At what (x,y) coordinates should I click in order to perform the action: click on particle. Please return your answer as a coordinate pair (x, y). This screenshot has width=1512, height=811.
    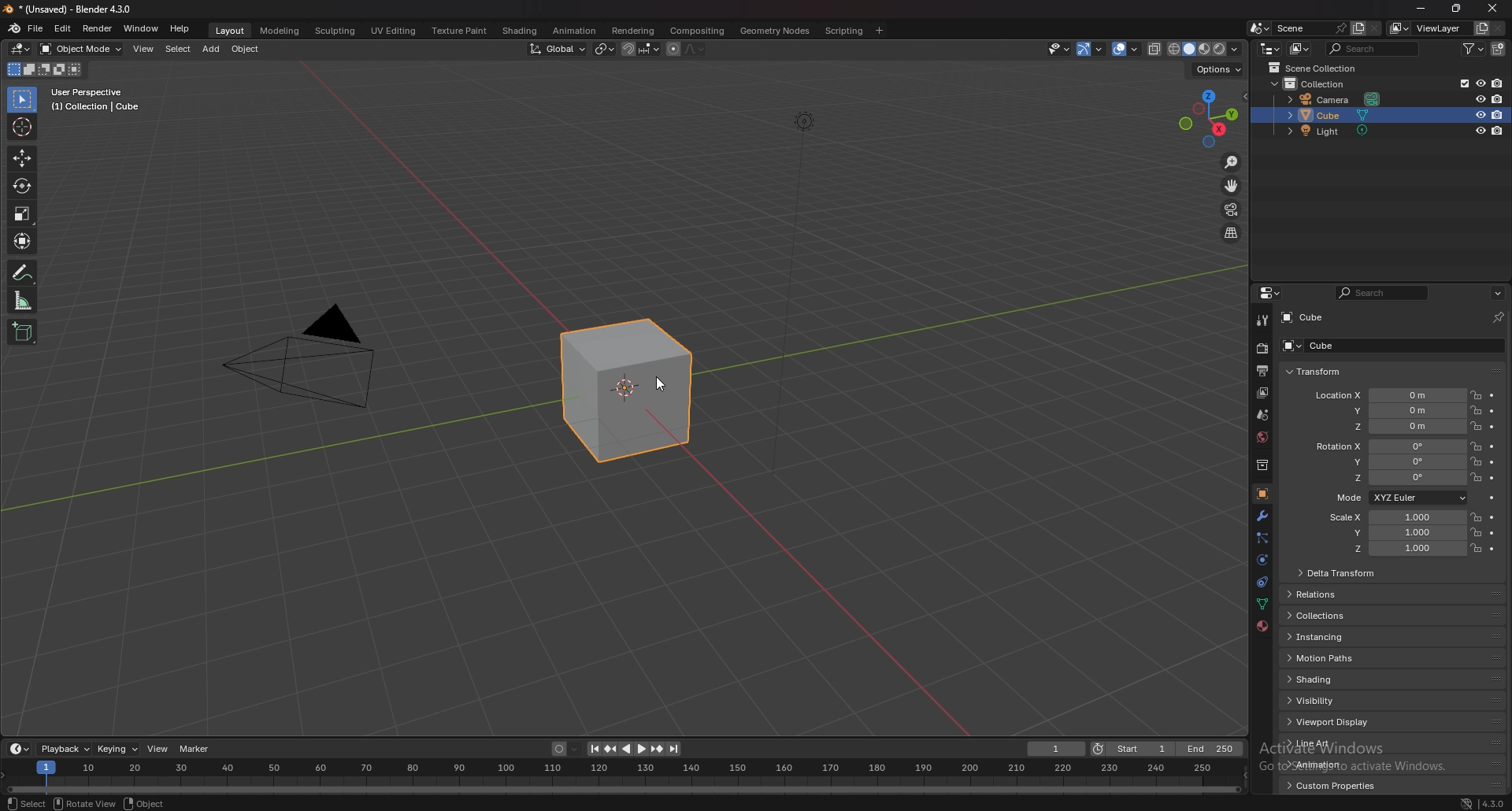
    Looking at the image, I should click on (1263, 539).